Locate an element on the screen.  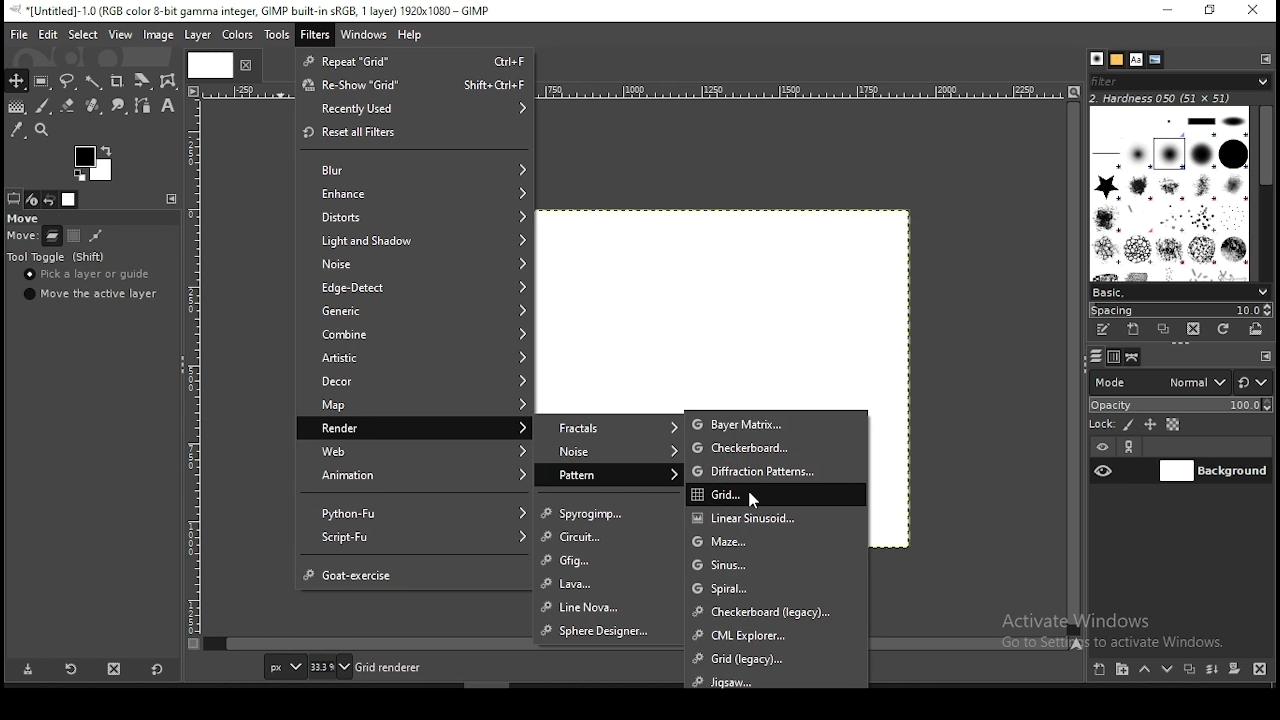
move is located at coordinates (23, 217).